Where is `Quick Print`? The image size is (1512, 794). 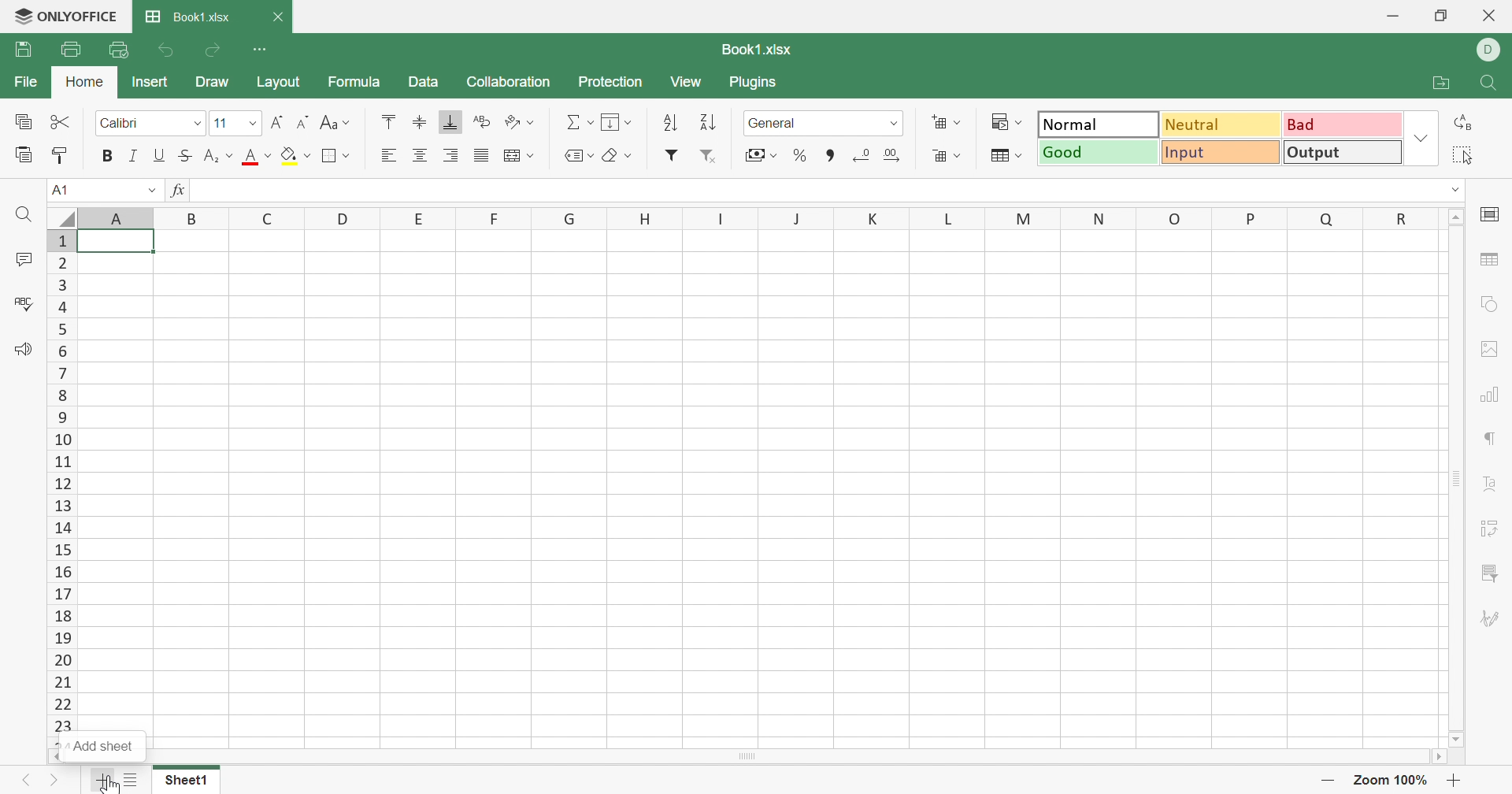 Quick Print is located at coordinates (123, 50).